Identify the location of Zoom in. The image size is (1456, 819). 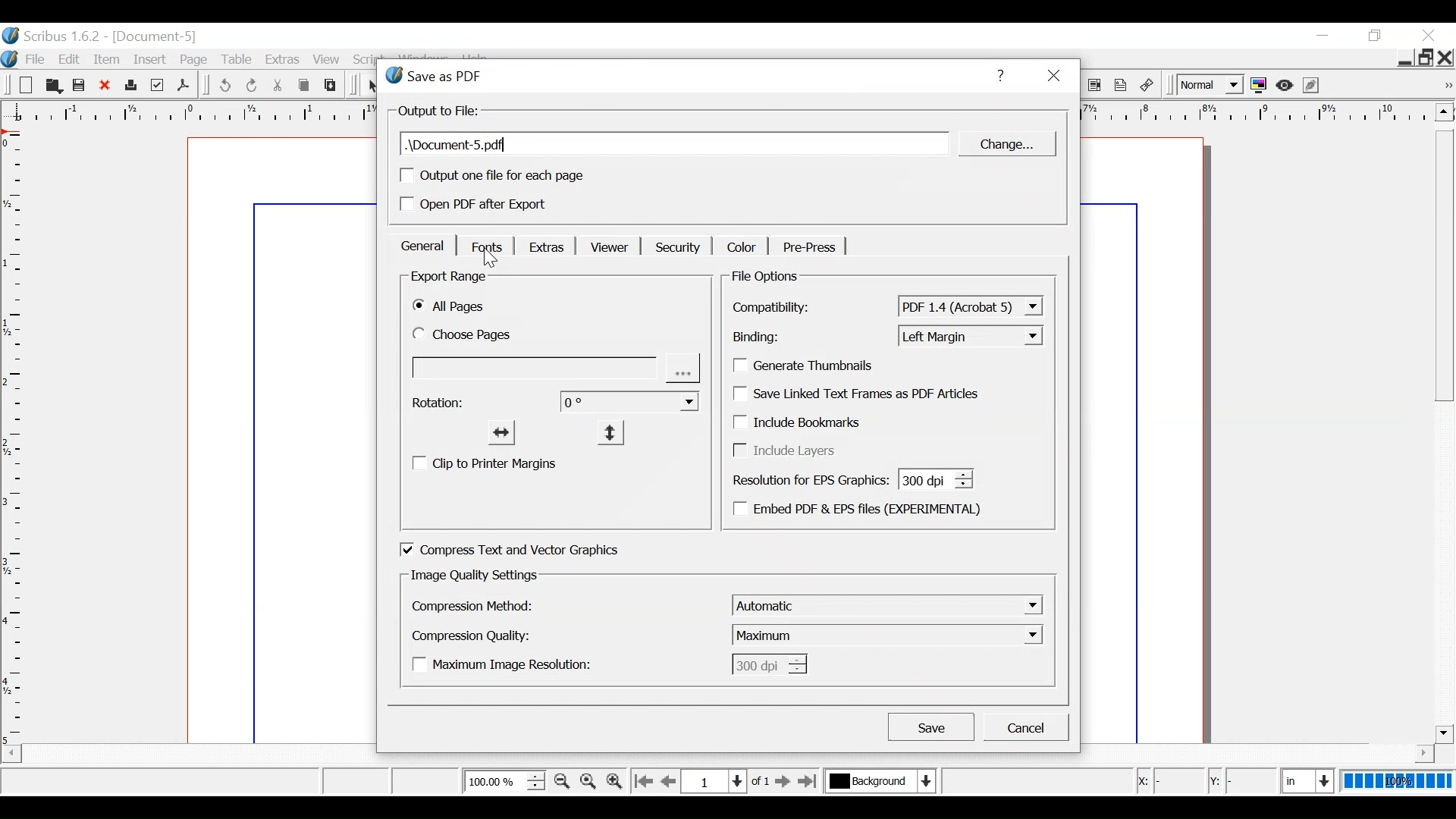
(613, 780).